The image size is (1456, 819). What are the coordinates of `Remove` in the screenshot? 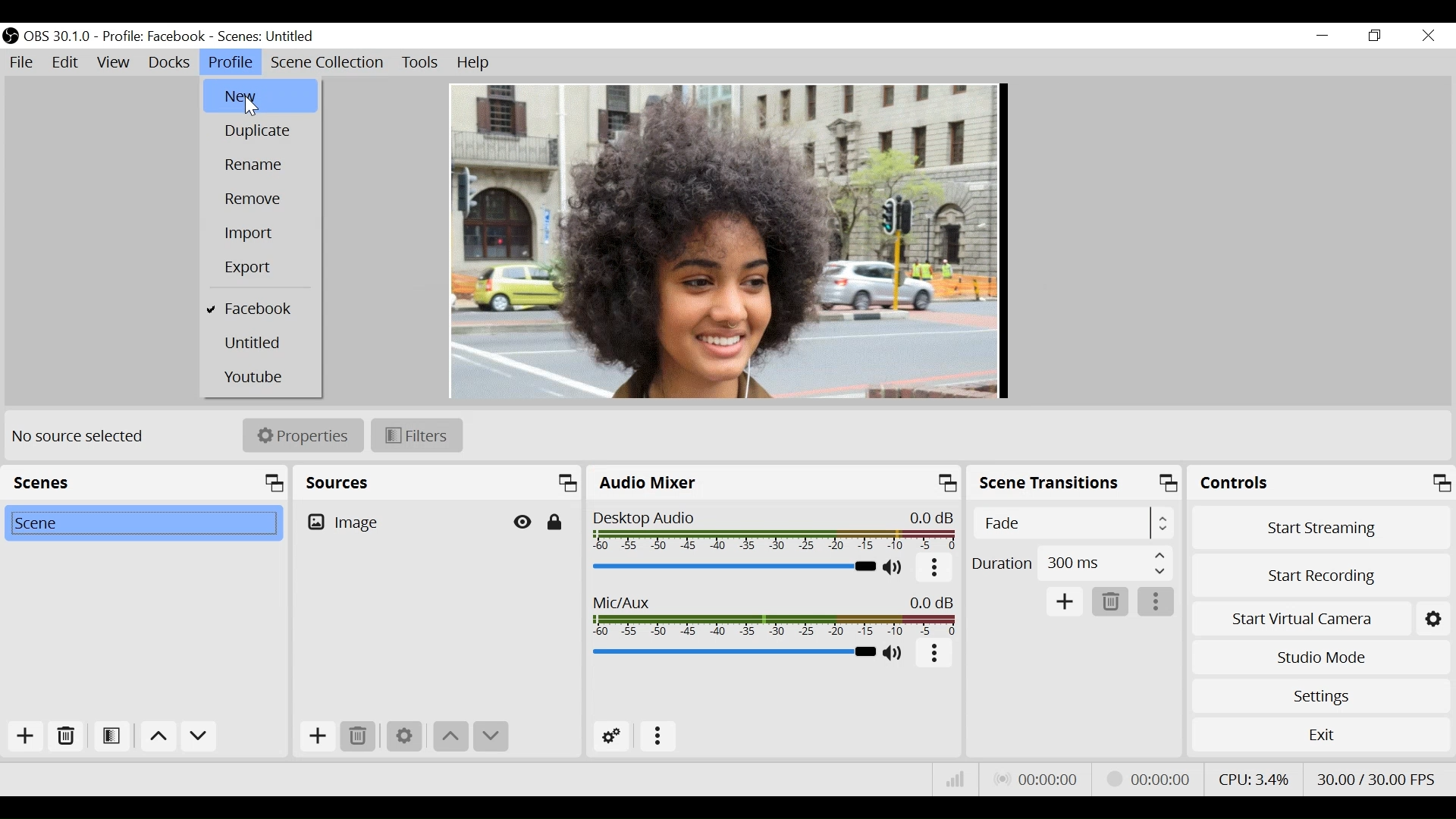 It's located at (262, 199).